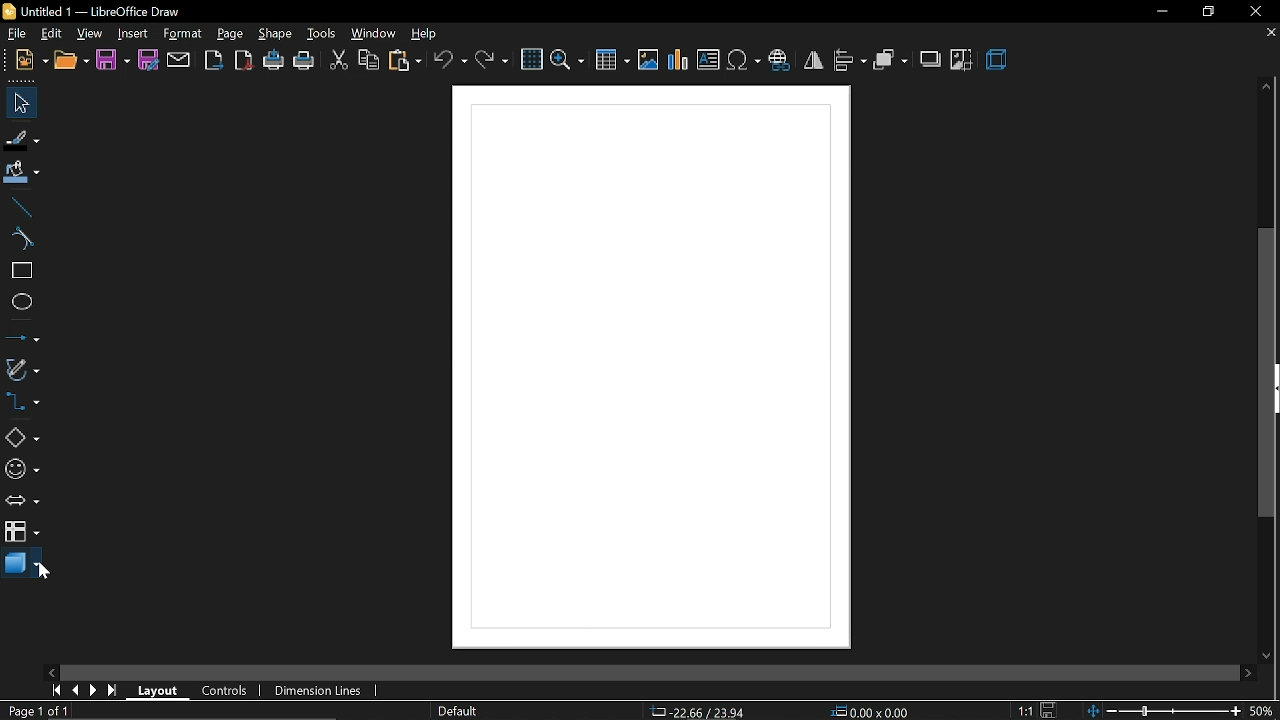 The image size is (1280, 720). Describe the element at coordinates (21, 335) in the screenshot. I see `lines and arrows` at that location.